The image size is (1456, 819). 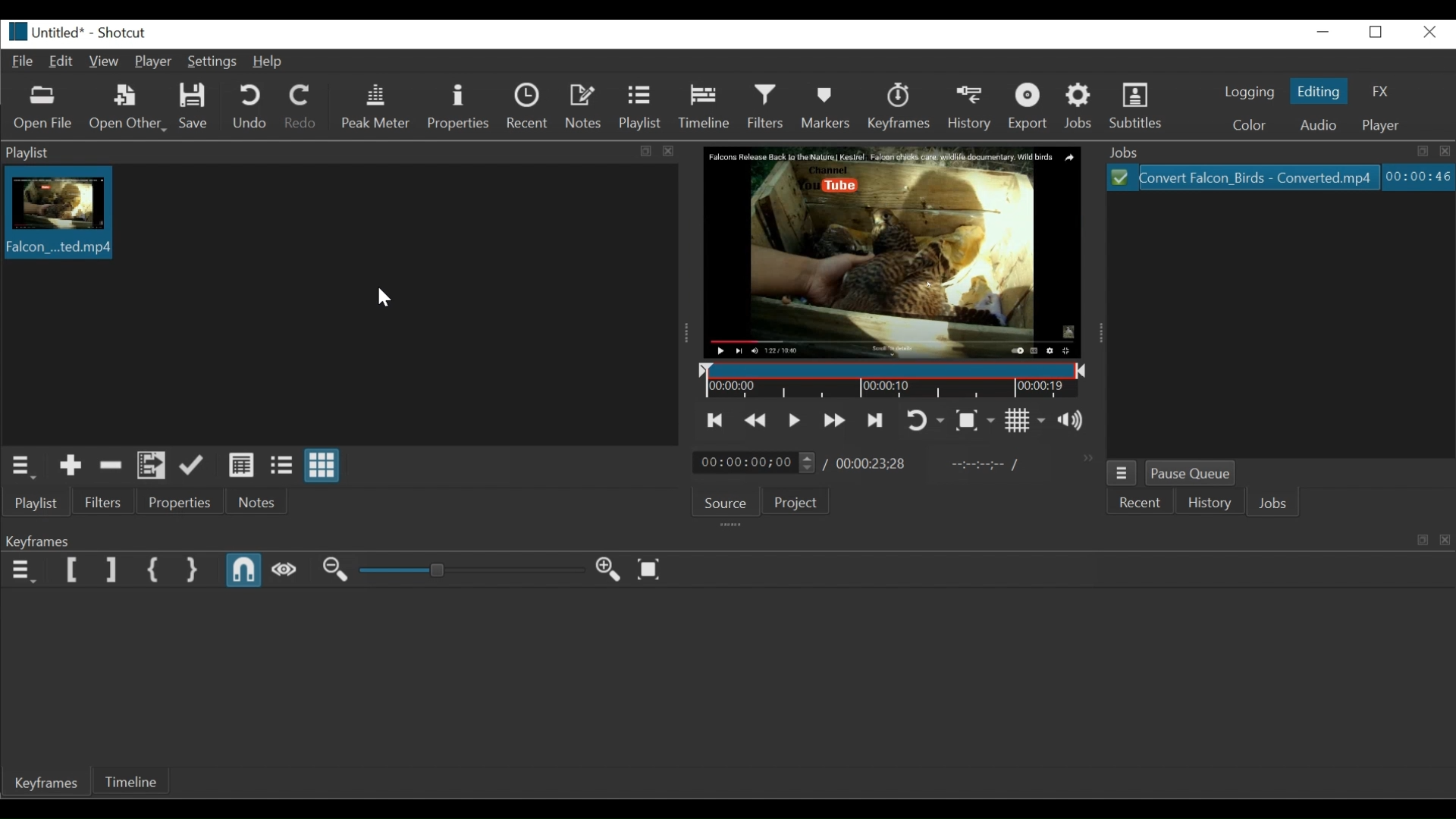 What do you see at coordinates (755, 463) in the screenshot?
I see `Current position` at bounding box center [755, 463].